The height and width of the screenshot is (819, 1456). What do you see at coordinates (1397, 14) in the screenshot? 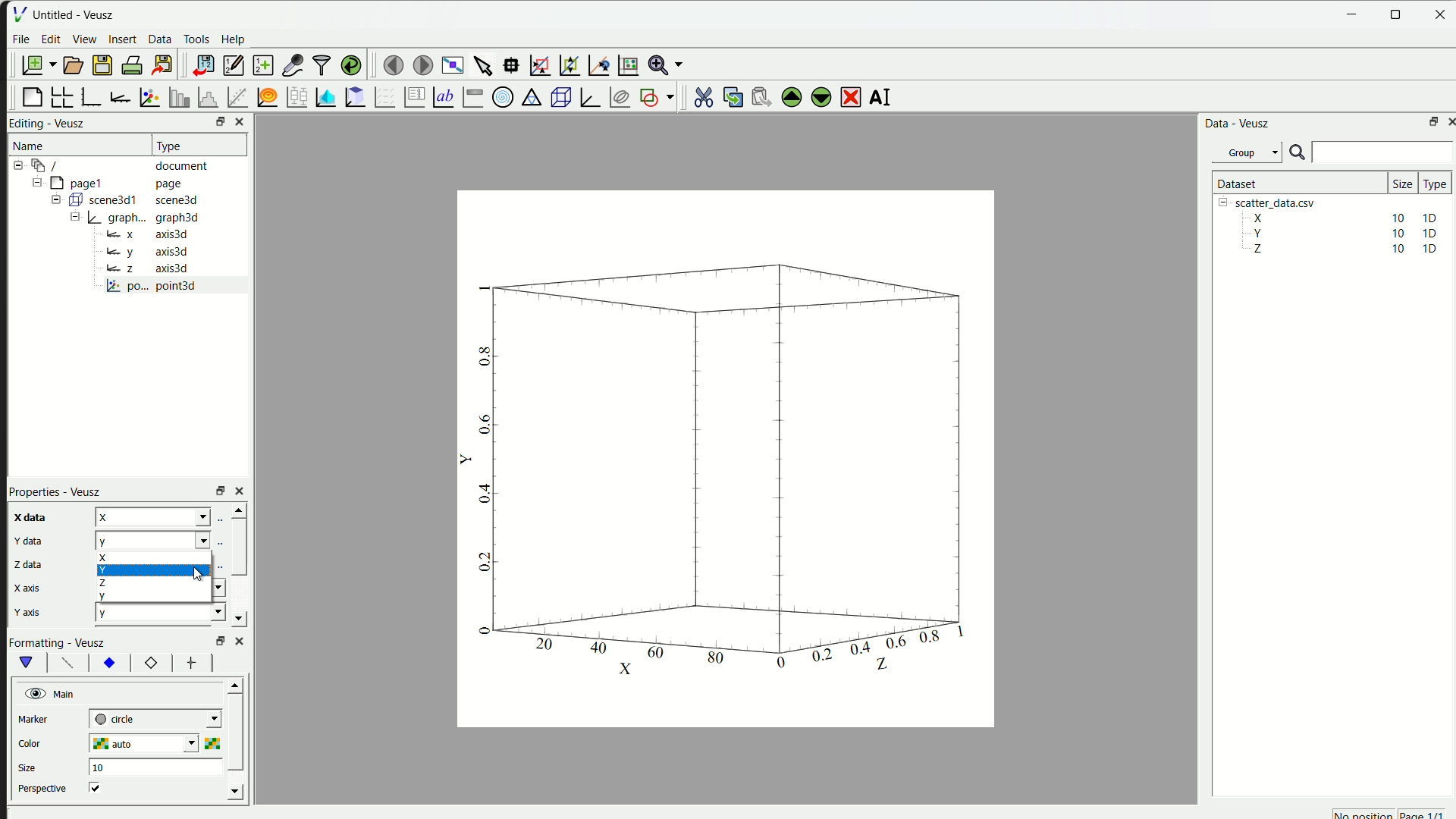
I see `resize` at bounding box center [1397, 14].